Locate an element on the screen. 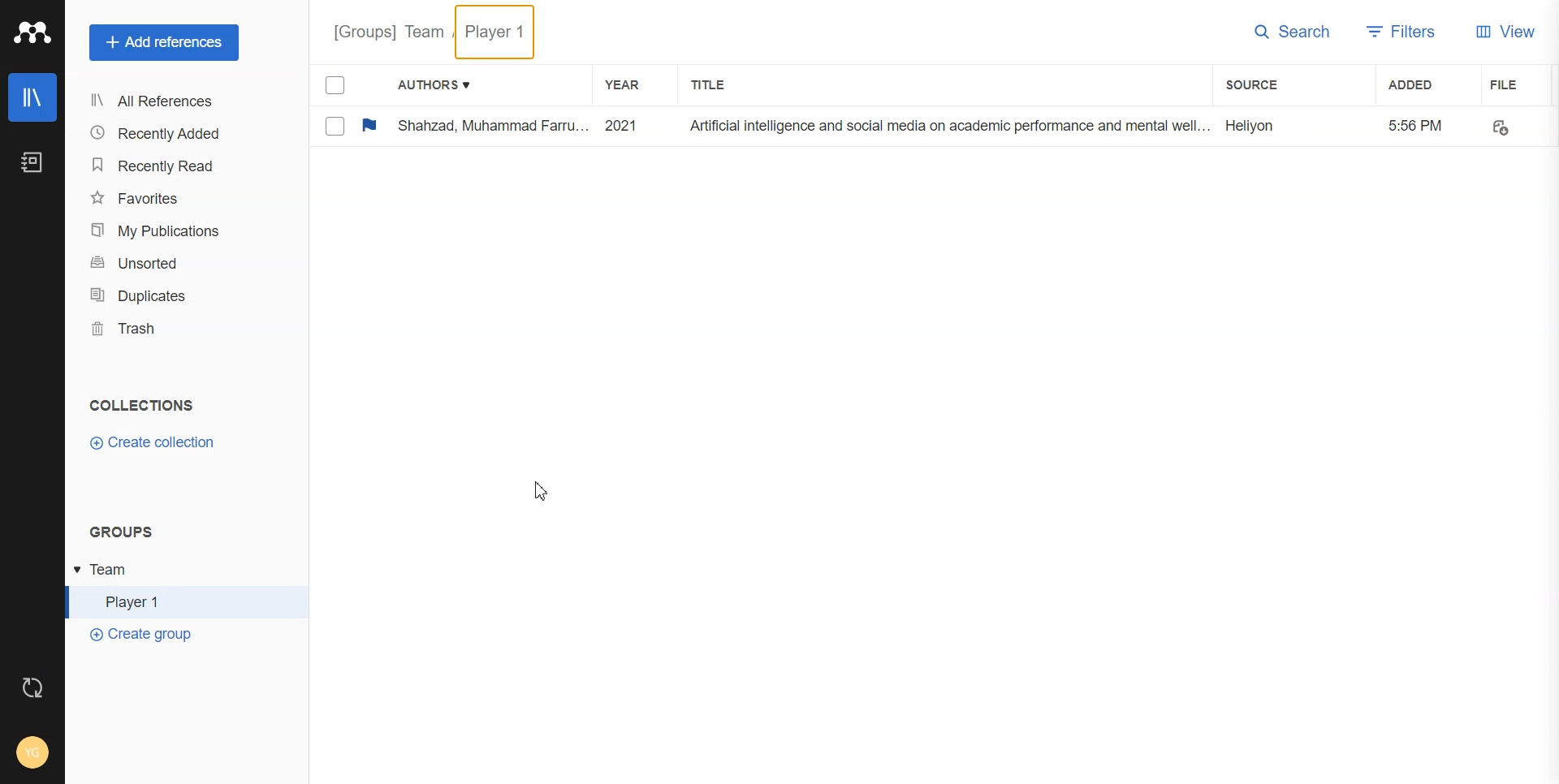  Add references is located at coordinates (166, 43).